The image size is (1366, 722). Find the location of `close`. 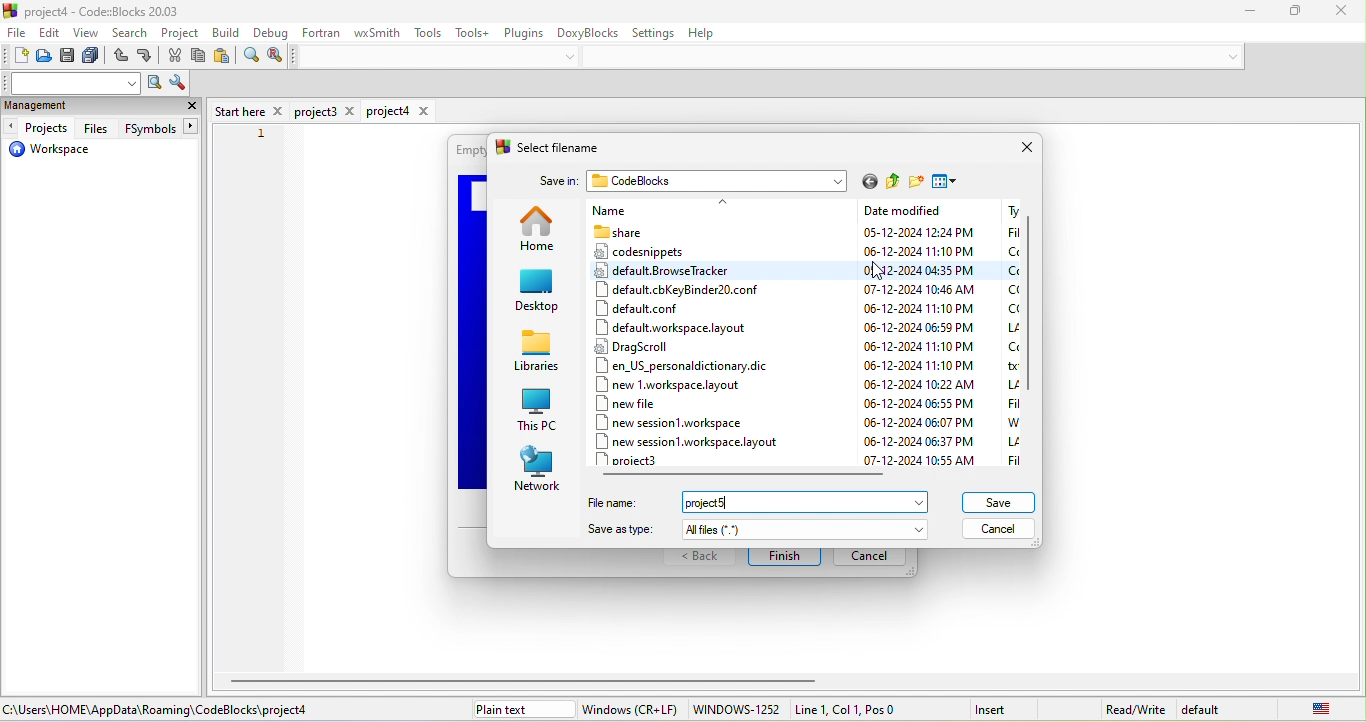

close is located at coordinates (192, 108).